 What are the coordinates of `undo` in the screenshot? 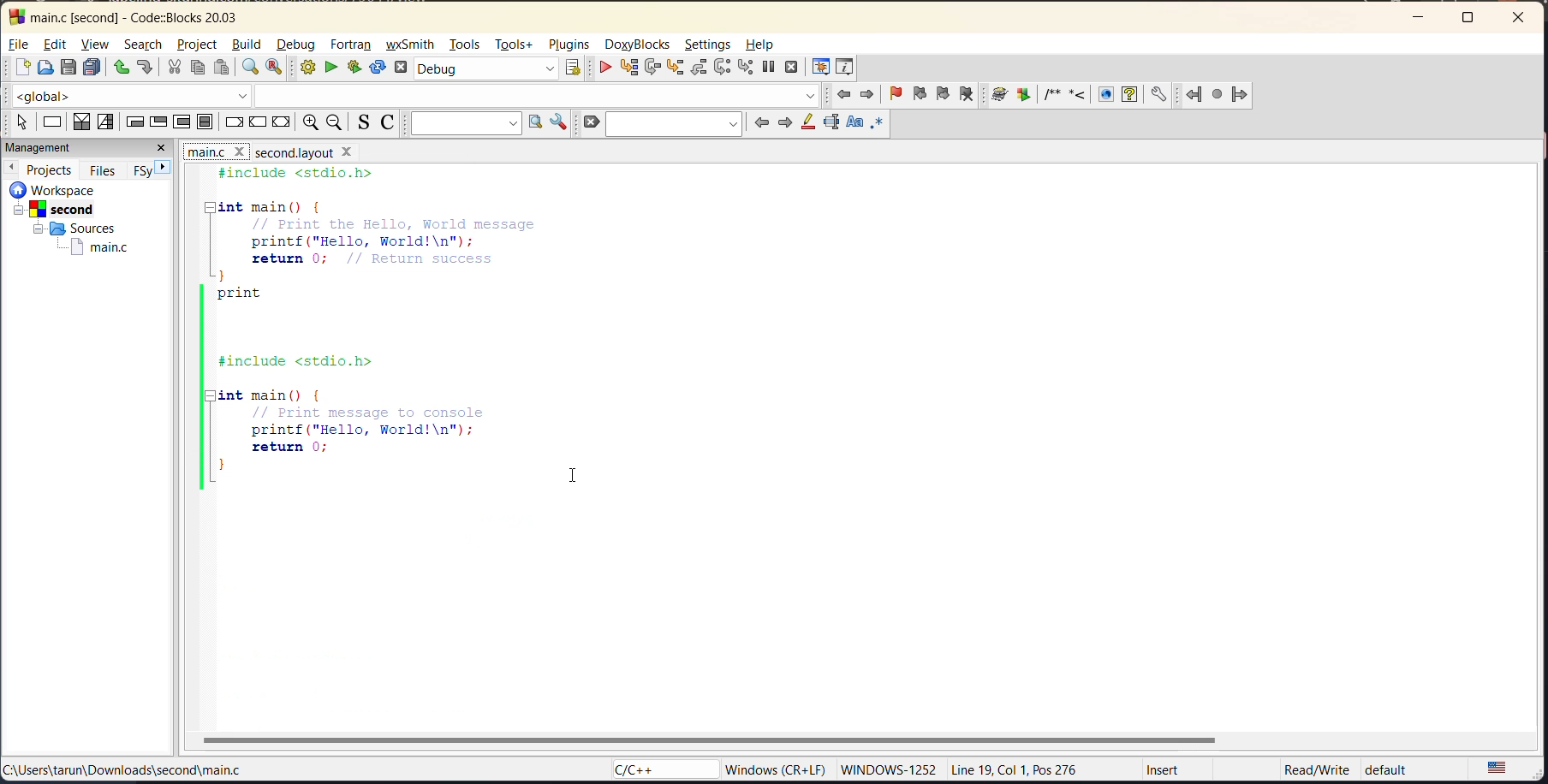 It's located at (118, 68).